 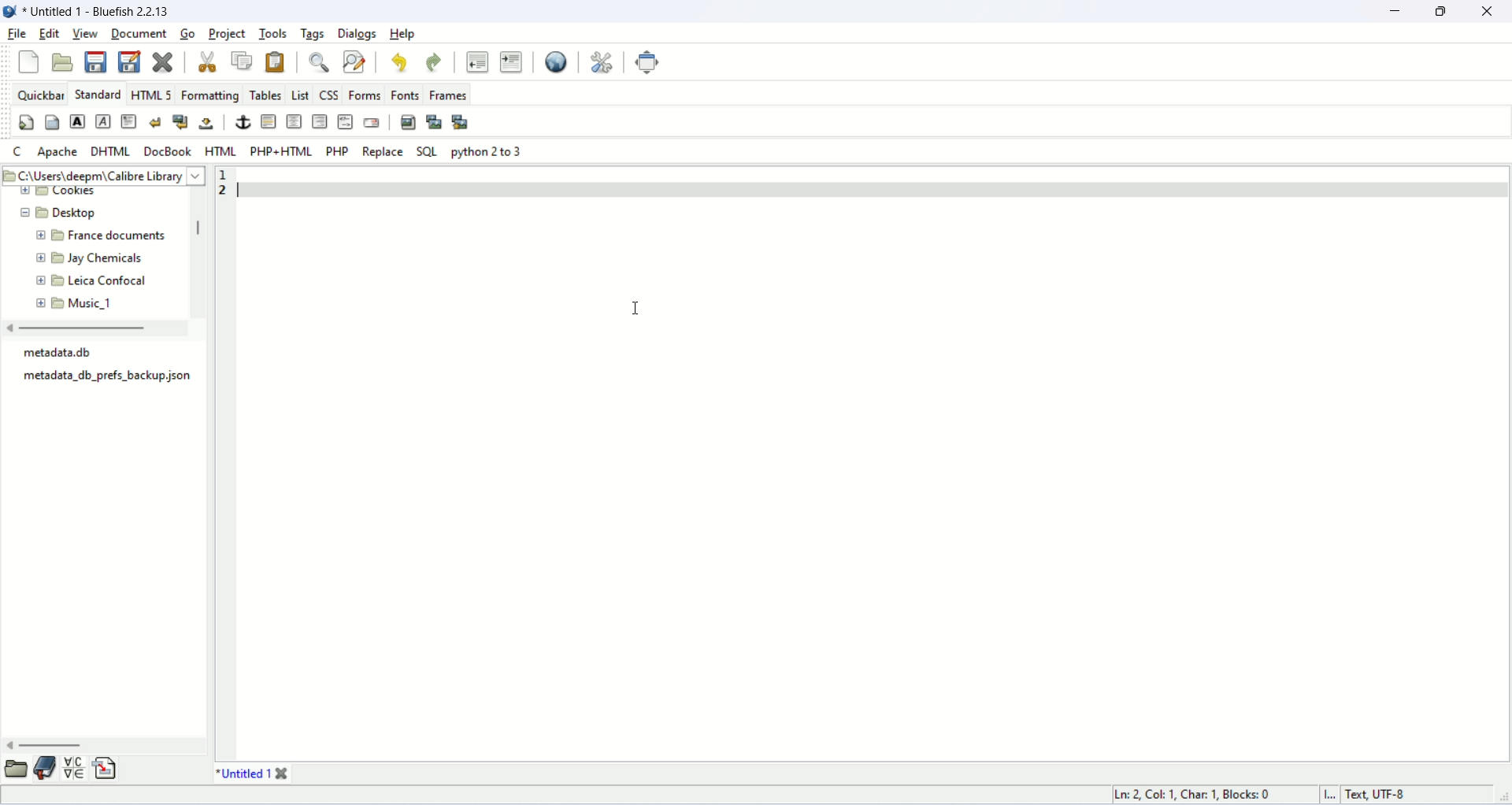 I want to click on file list, so click(x=107, y=372).